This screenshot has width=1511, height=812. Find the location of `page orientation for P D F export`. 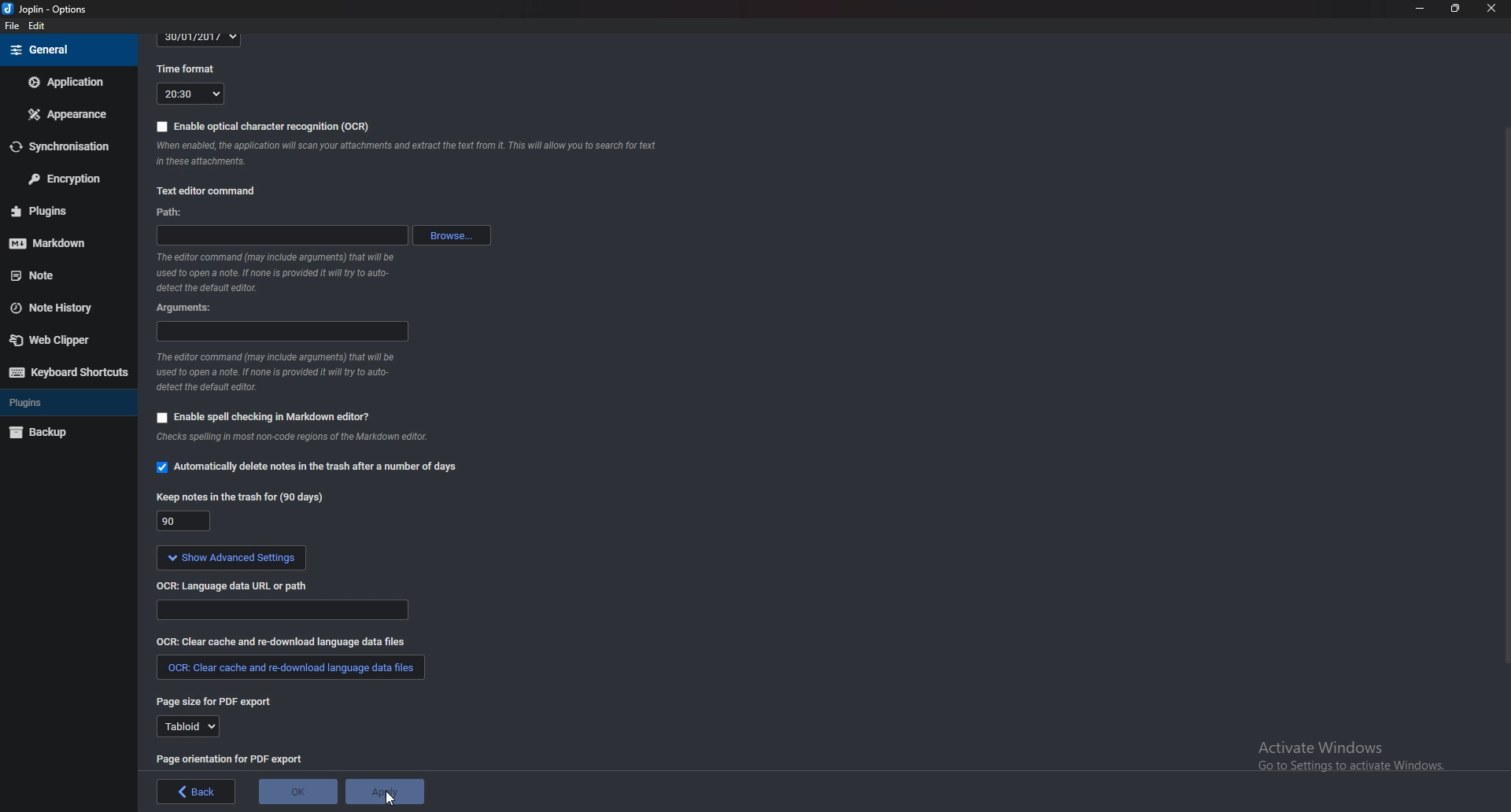

page orientation for P D F export is located at coordinates (232, 758).